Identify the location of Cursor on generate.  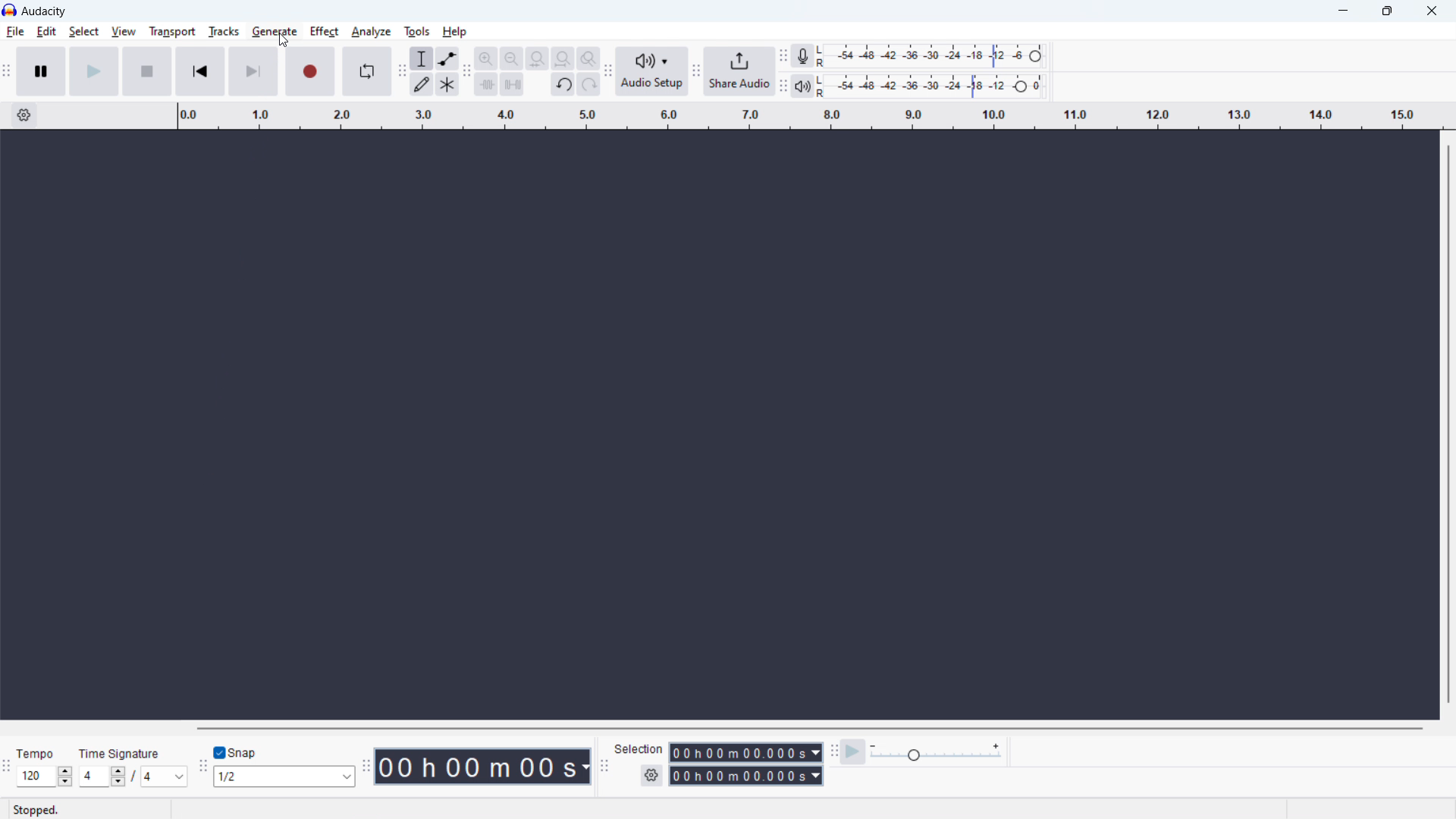
(275, 33).